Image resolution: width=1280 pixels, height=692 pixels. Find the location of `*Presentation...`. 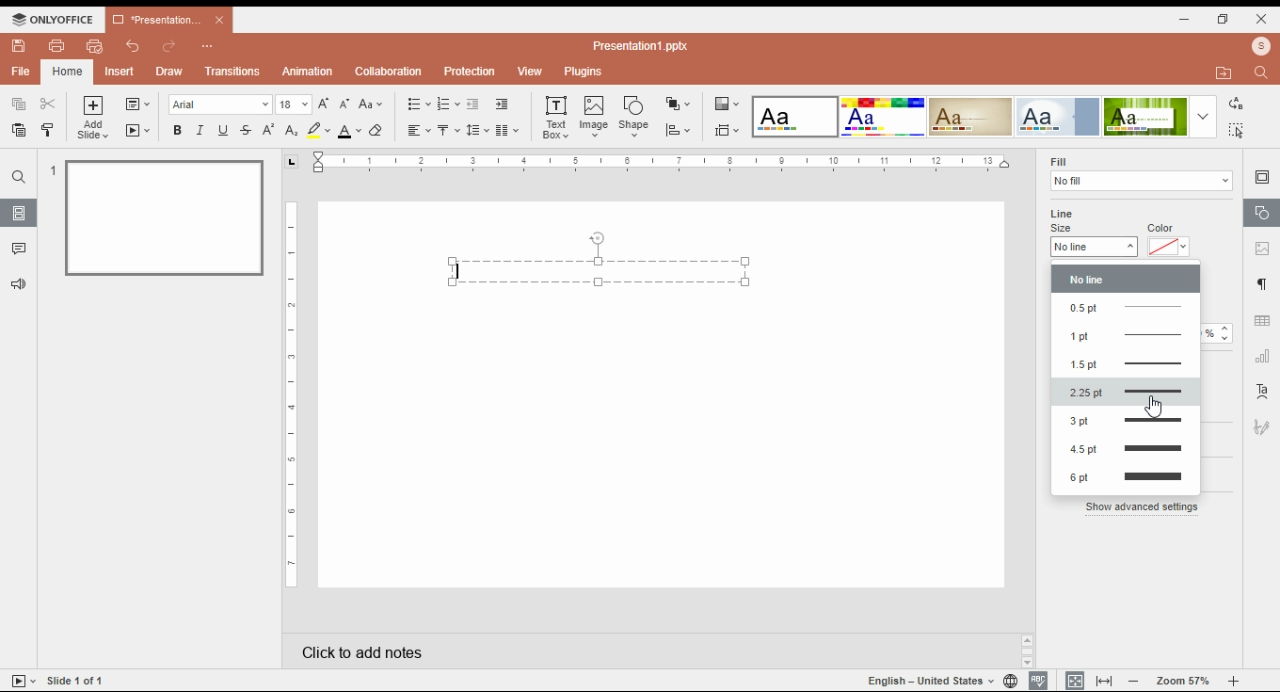

*Presentation... is located at coordinates (152, 21).